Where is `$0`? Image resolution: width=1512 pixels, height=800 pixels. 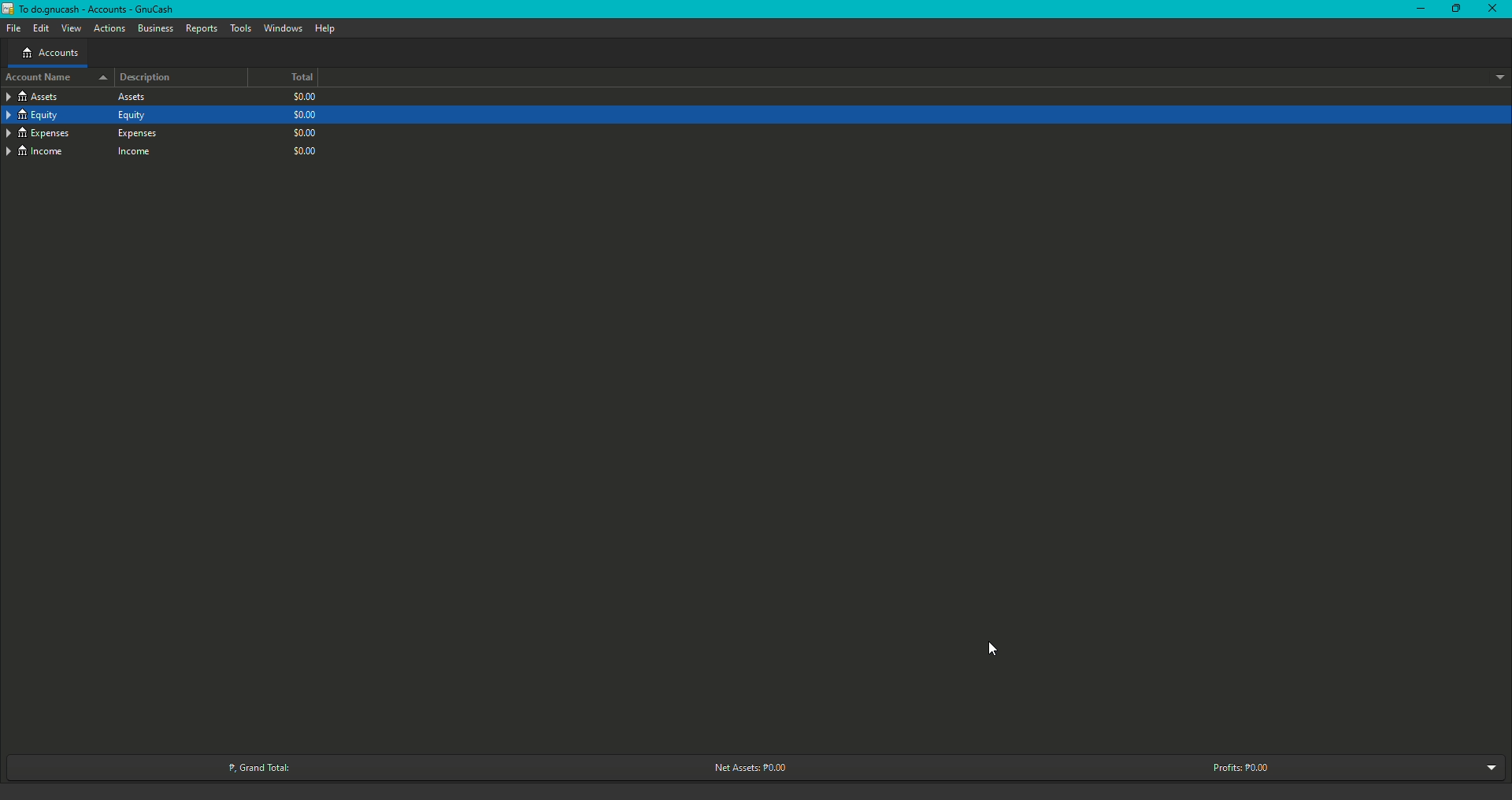 $0 is located at coordinates (306, 99).